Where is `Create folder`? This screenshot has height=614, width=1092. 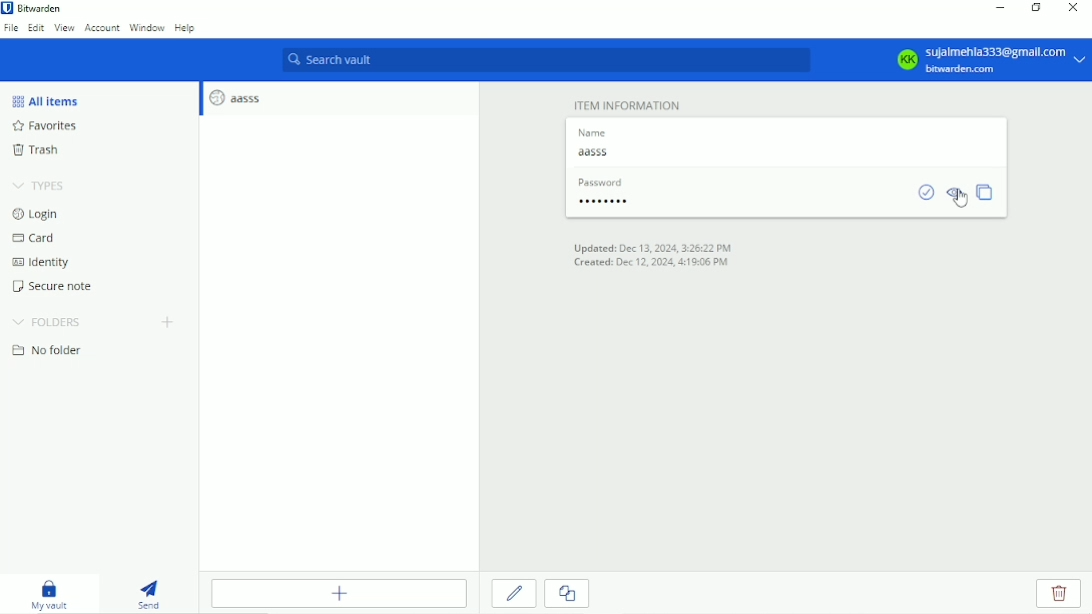 Create folder is located at coordinates (169, 322).